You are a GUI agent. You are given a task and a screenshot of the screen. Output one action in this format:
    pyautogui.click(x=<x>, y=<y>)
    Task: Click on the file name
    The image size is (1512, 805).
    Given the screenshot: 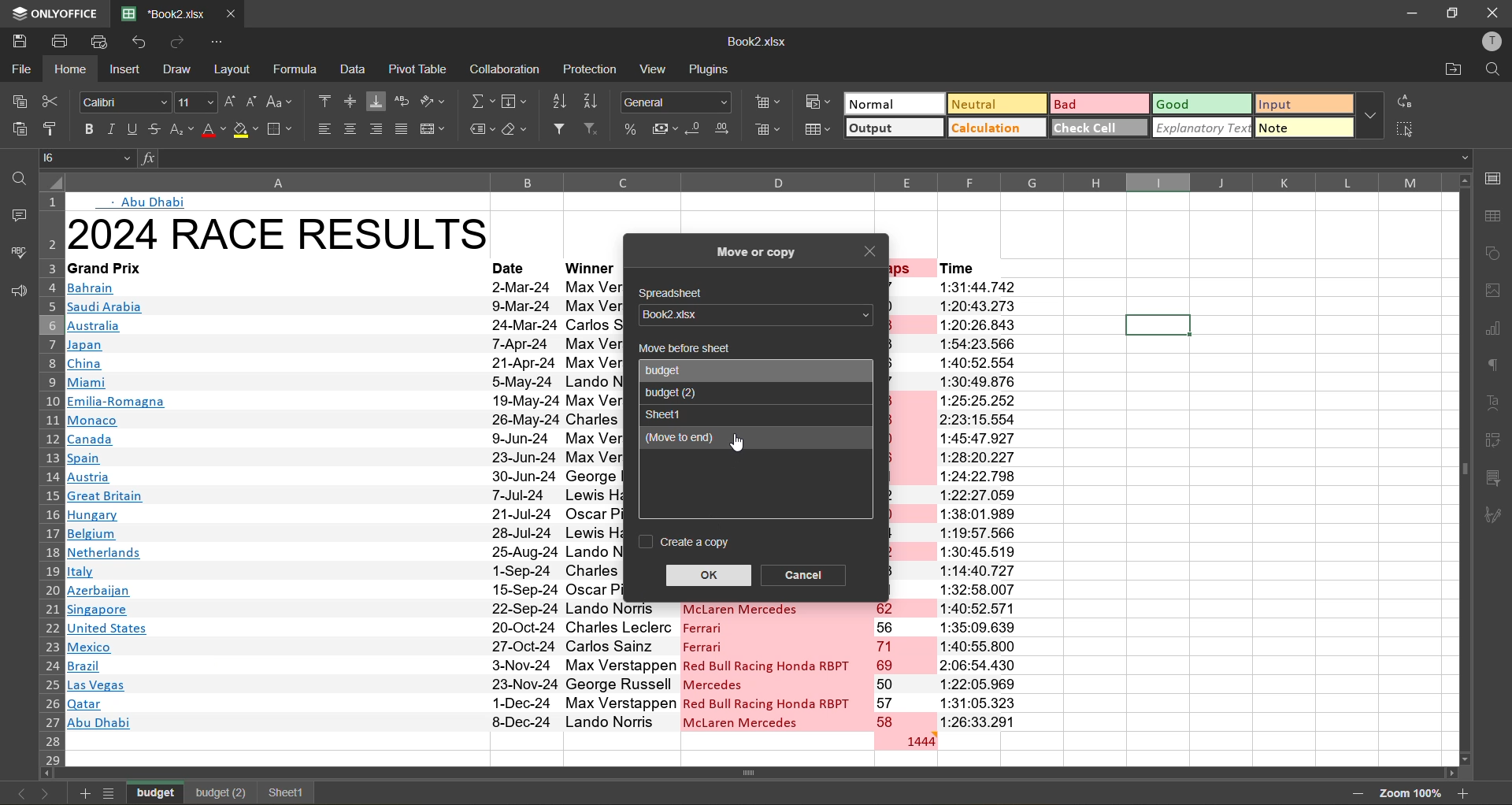 What is the action you would take?
    pyautogui.click(x=756, y=45)
    